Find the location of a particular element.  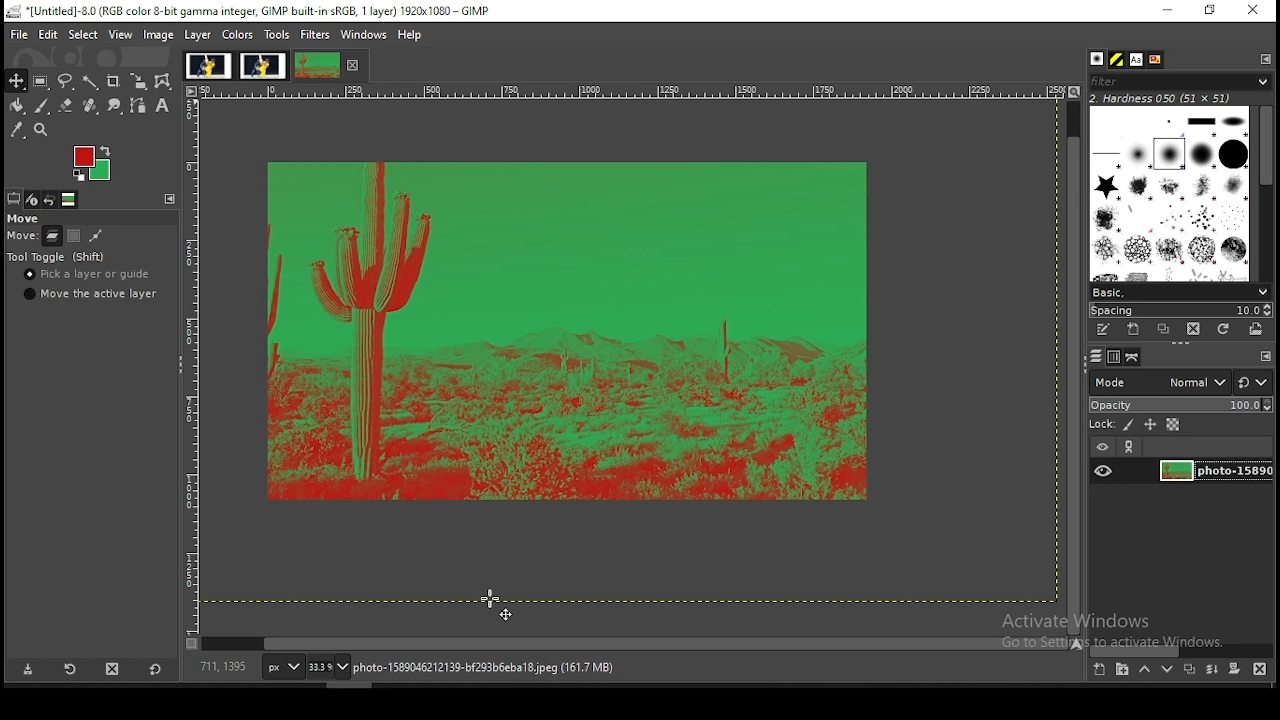

select is located at coordinates (84, 35).